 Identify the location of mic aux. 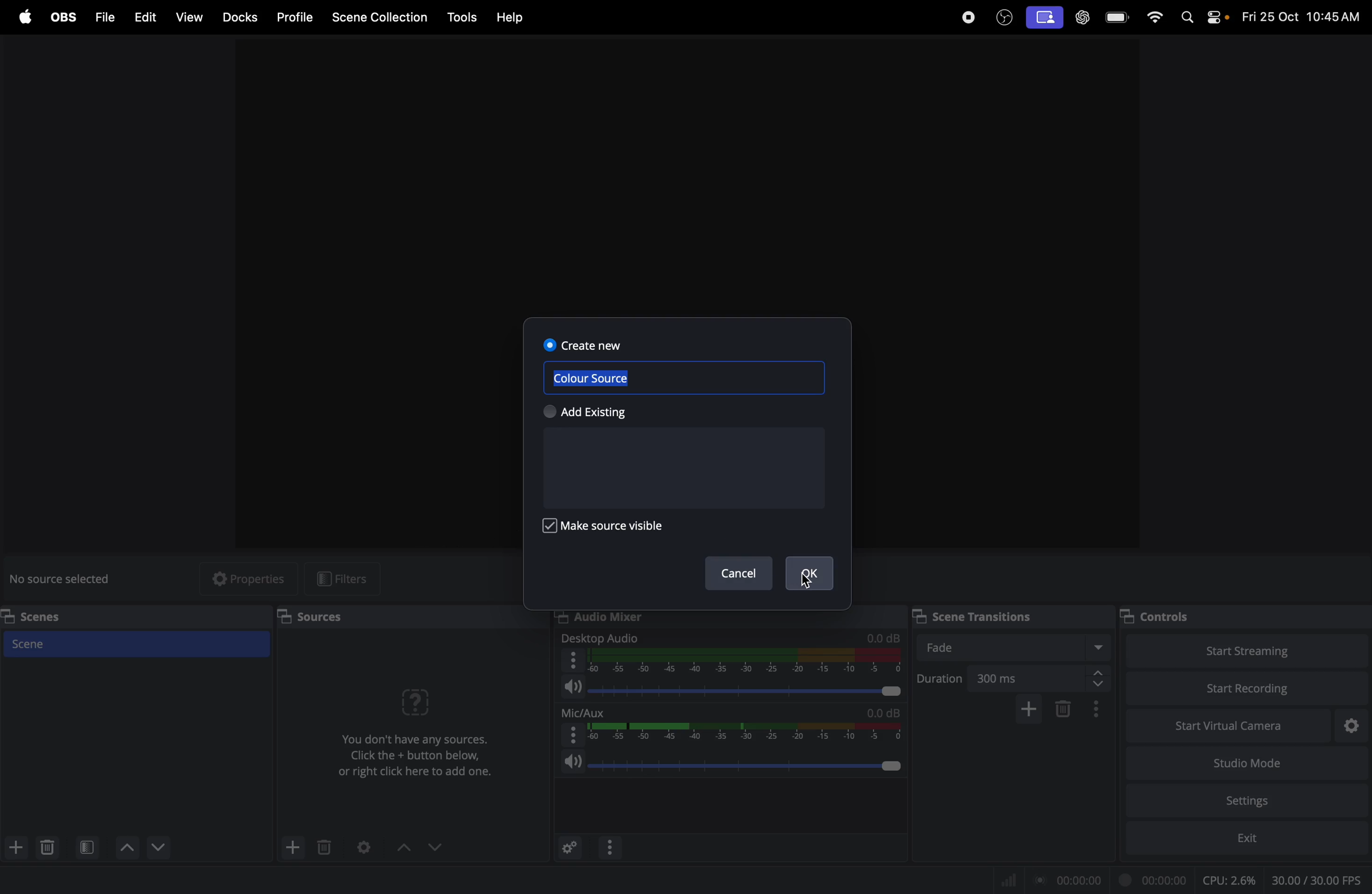
(585, 712).